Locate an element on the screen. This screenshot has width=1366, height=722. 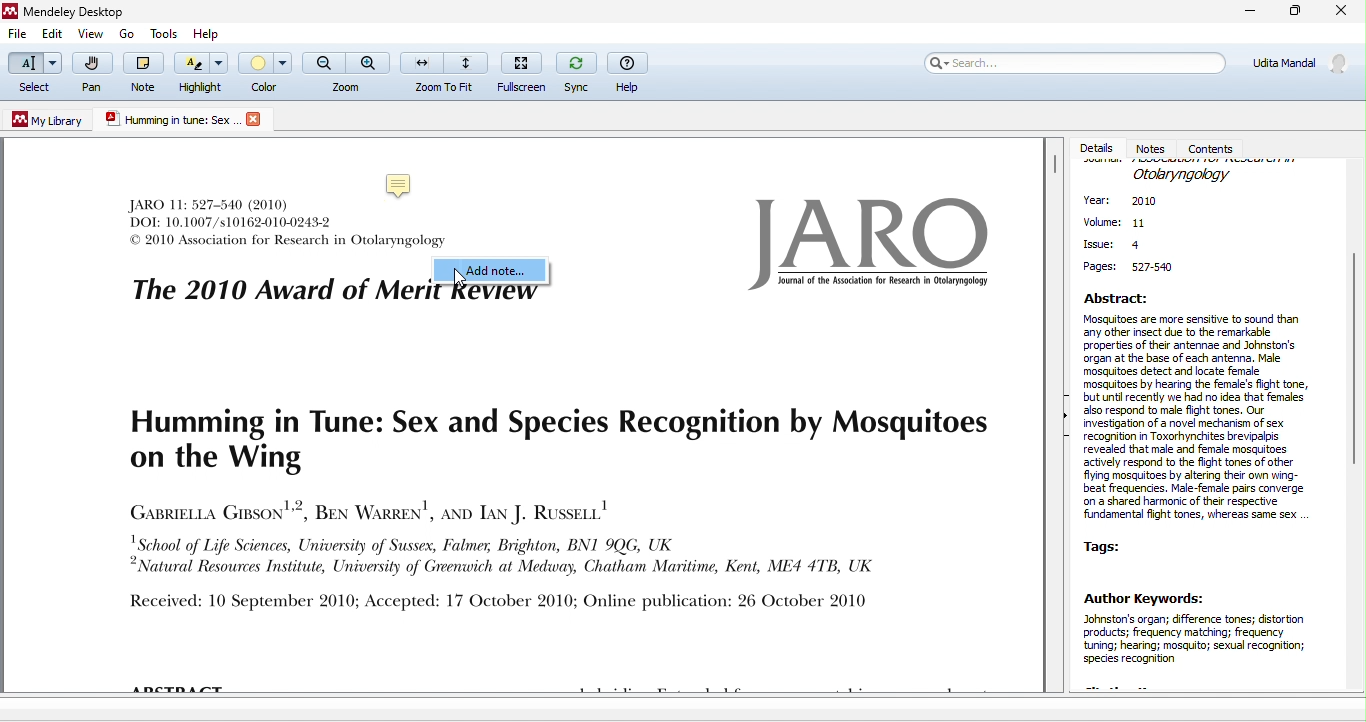
help is located at coordinates (630, 72).